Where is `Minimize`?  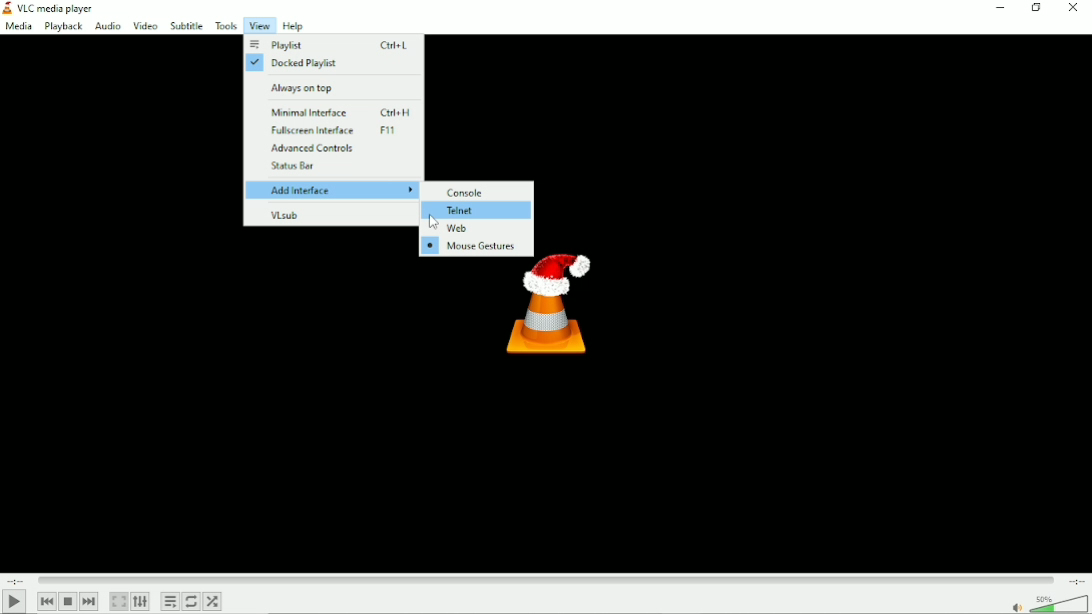
Minimize is located at coordinates (996, 9).